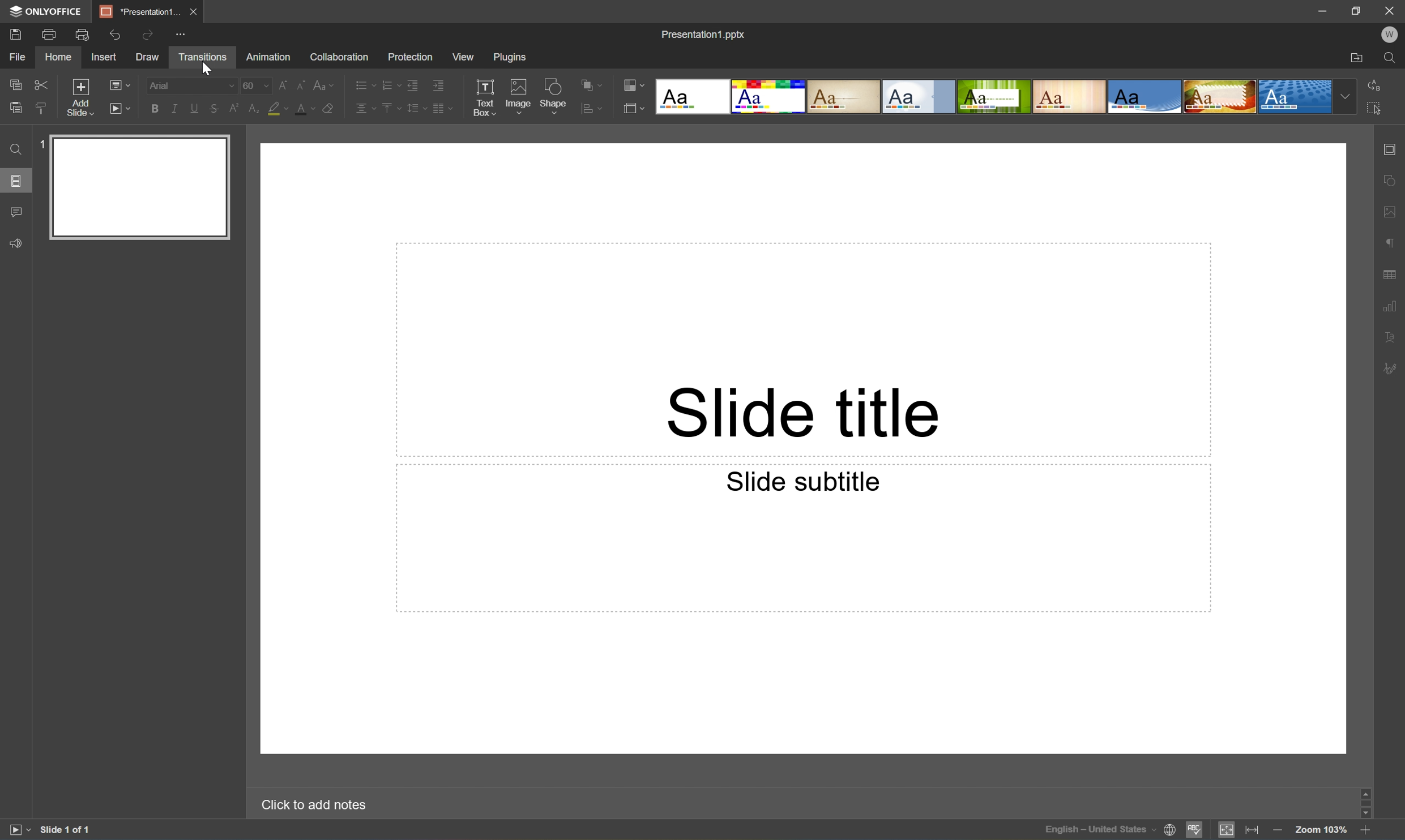  Describe the element at coordinates (252, 84) in the screenshot. I see `60` at that location.